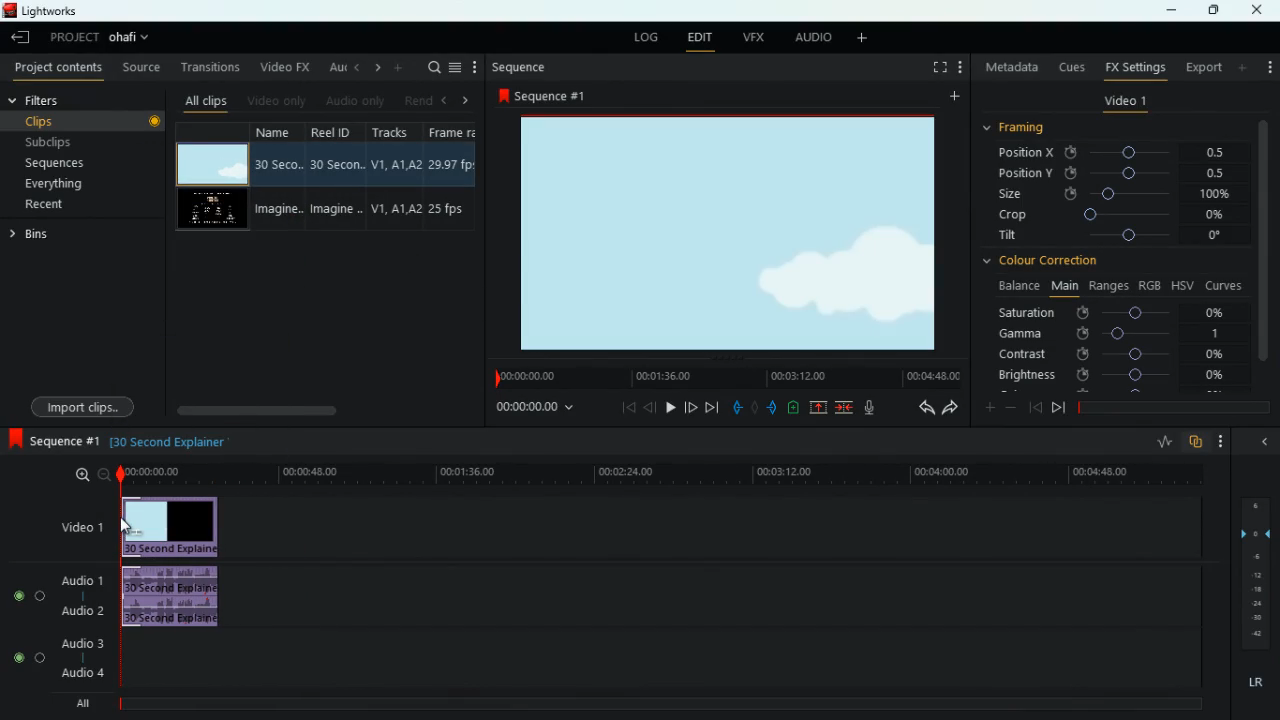 The height and width of the screenshot is (720, 1280). Describe the element at coordinates (1035, 408) in the screenshot. I see `back` at that location.